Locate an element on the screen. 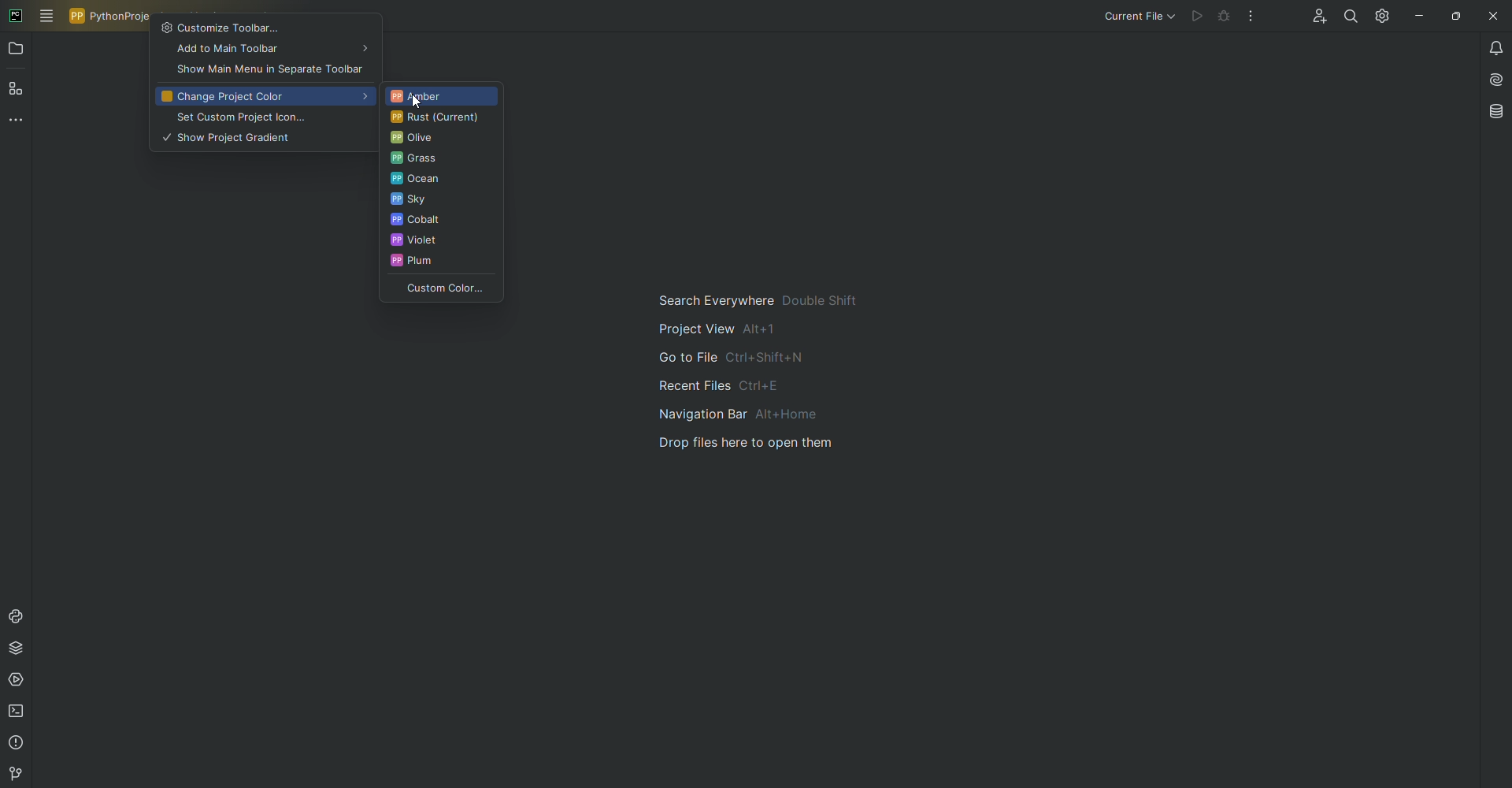 The height and width of the screenshot is (788, 1512). Cobalt is located at coordinates (440, 221).